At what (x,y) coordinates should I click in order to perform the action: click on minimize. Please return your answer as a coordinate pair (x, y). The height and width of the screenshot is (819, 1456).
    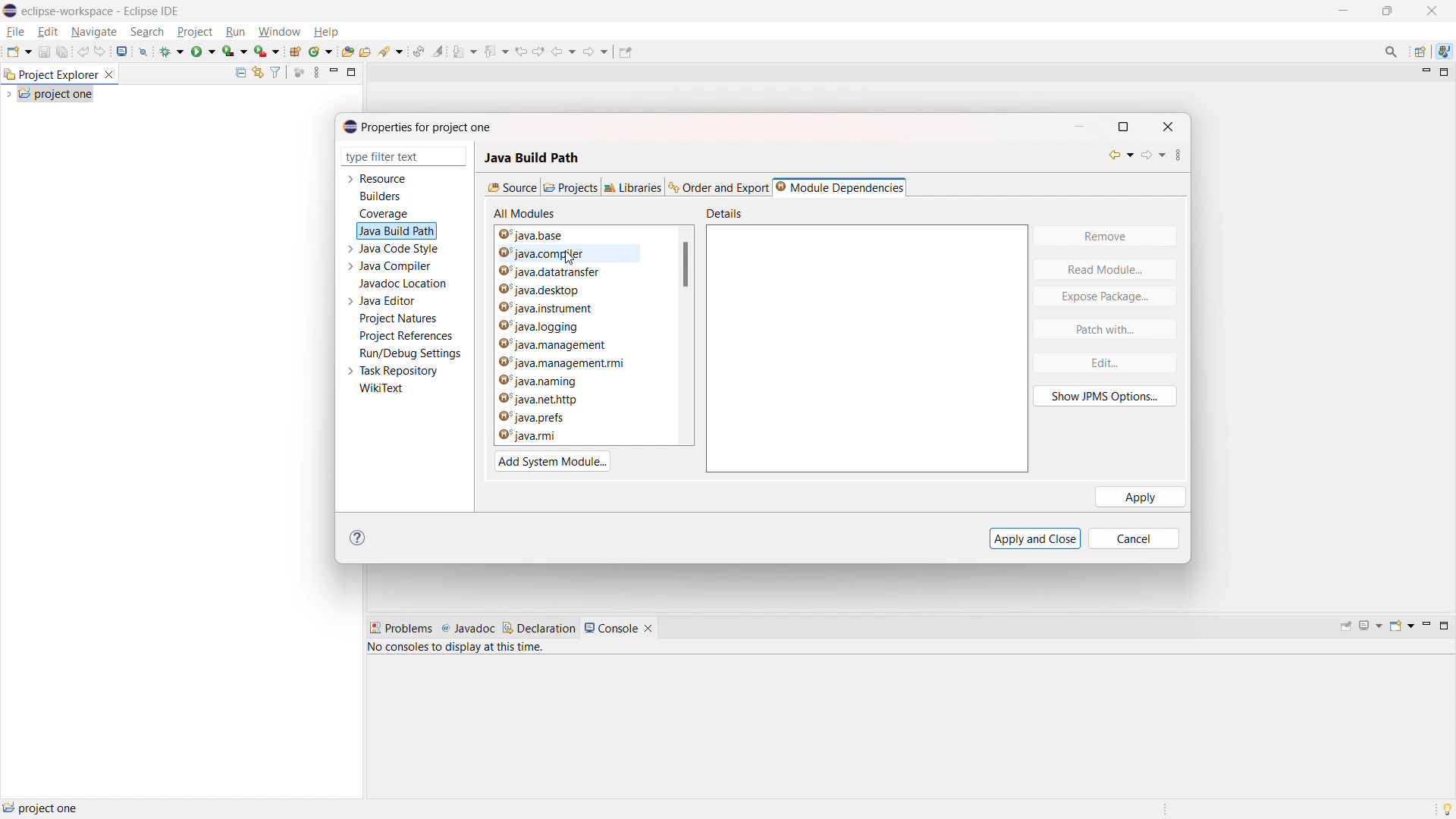
    Looking at the image, I should click on (1081, 125).